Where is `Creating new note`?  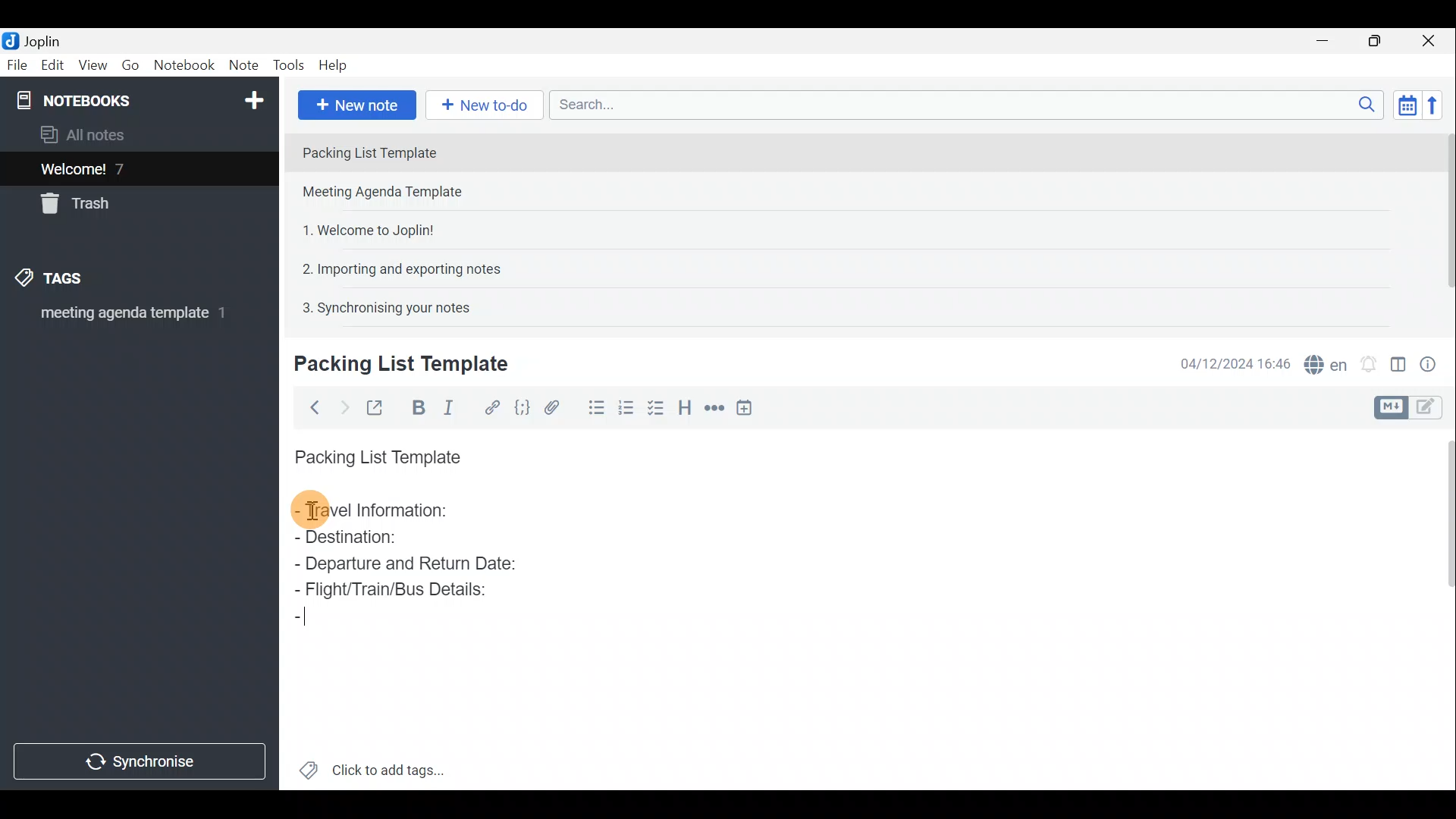 Creating new note is located at coordinates (392, 365).